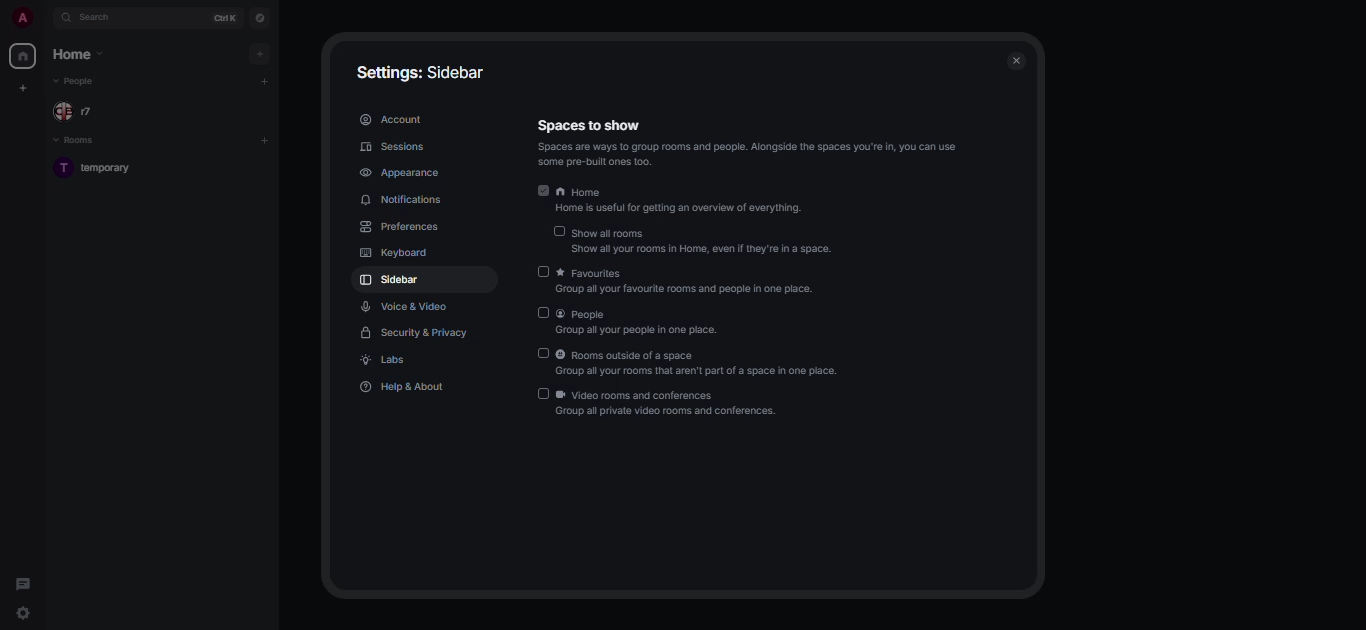 This screenshot has height=630, width=1366. What do you see at coordinates (672, 404) in the screenshot?
I see `video rooms and conferences` at bounding box center [672, 404].